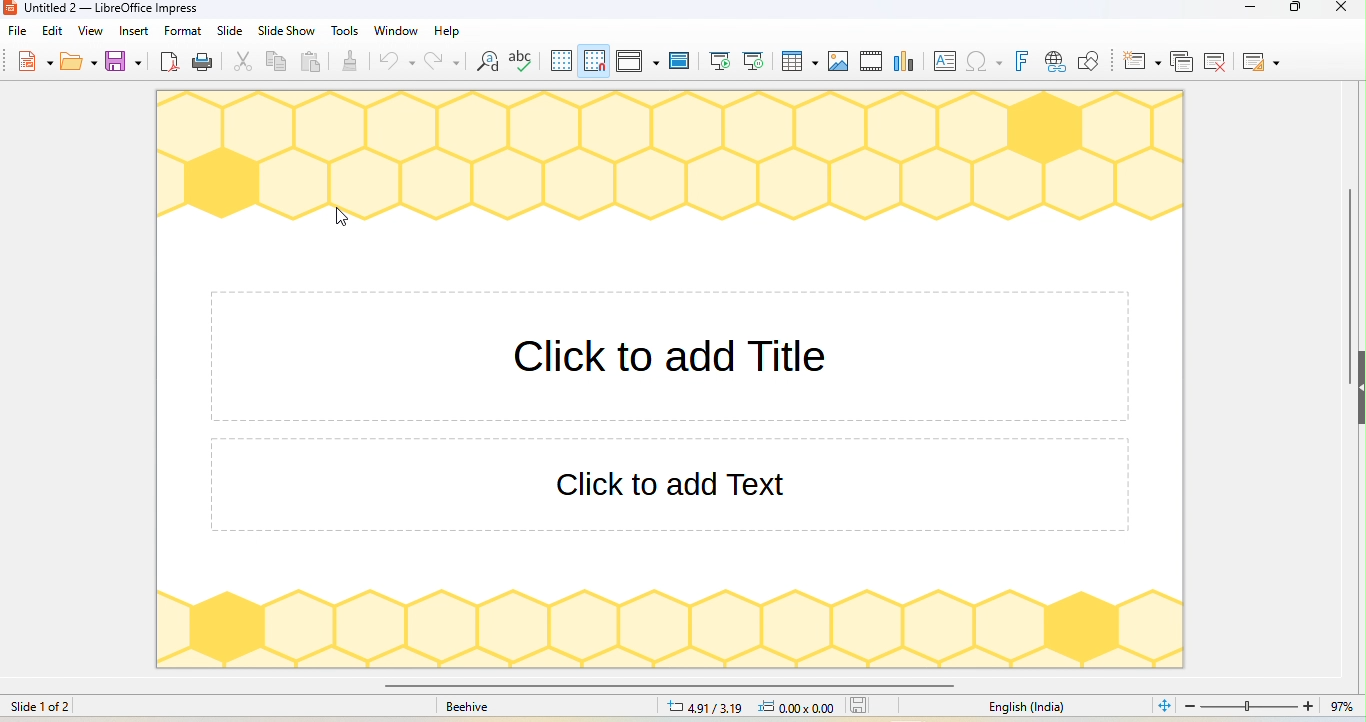 This screenshot has height=722, width=1366. Describe the element at coordinates (247, 62) in the screenshot. I see `cut` at that location.